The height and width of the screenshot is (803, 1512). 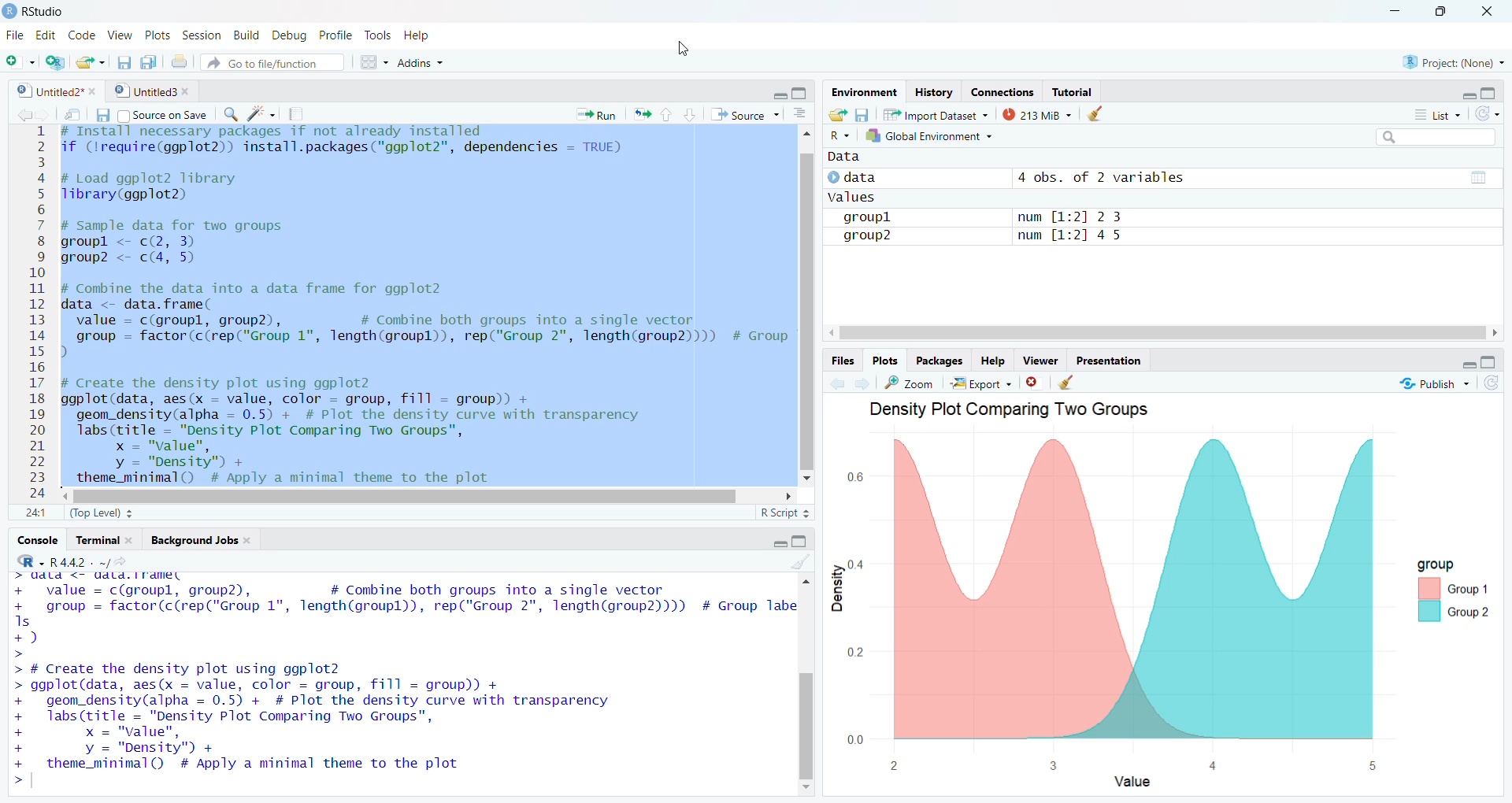 What do you see at coordinates (1495, 94) in the screenshot?
I see `maximize` at bounding box center [1495, 94].